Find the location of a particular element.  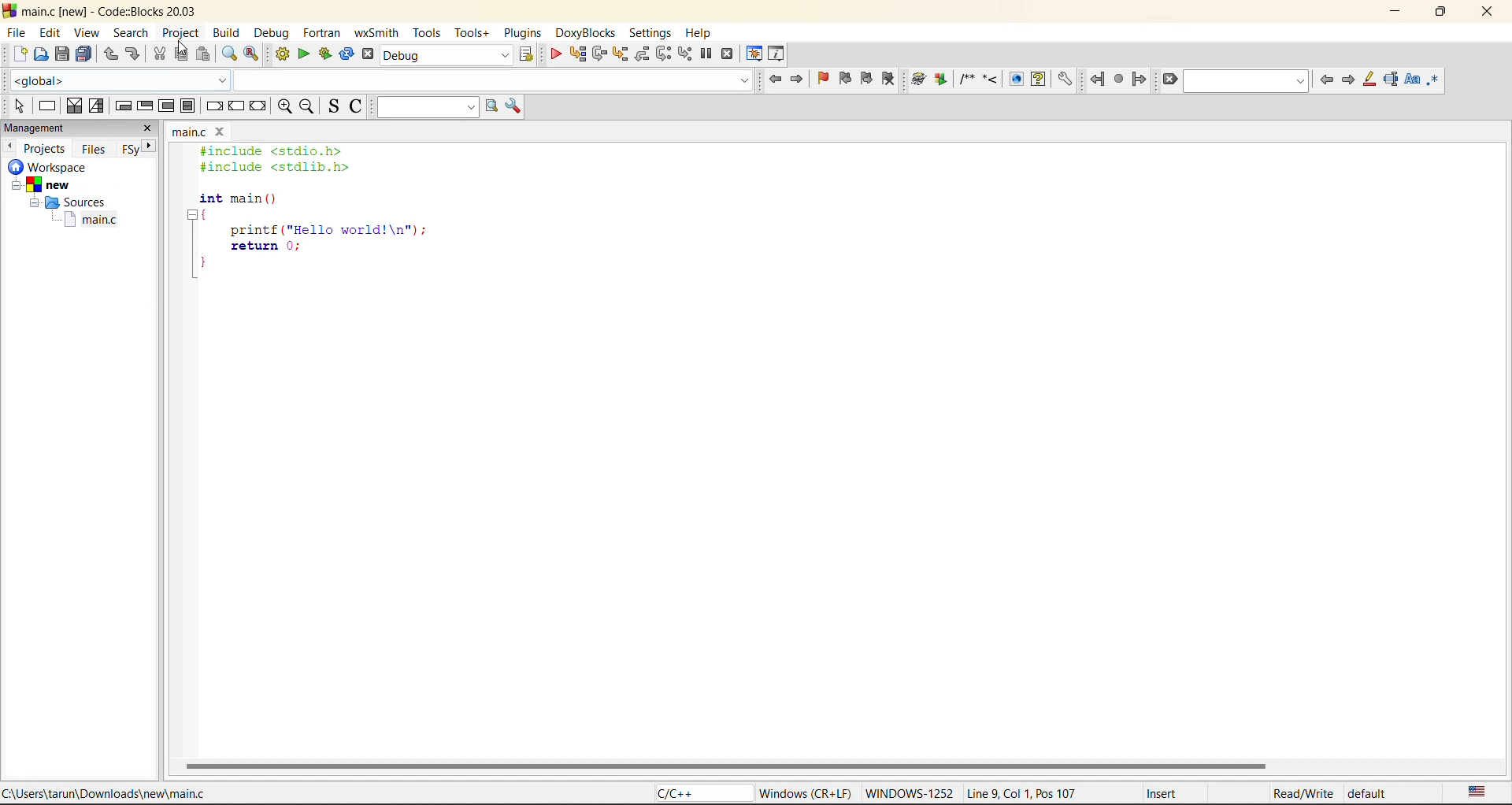

management is located at coordinates (37, 128).